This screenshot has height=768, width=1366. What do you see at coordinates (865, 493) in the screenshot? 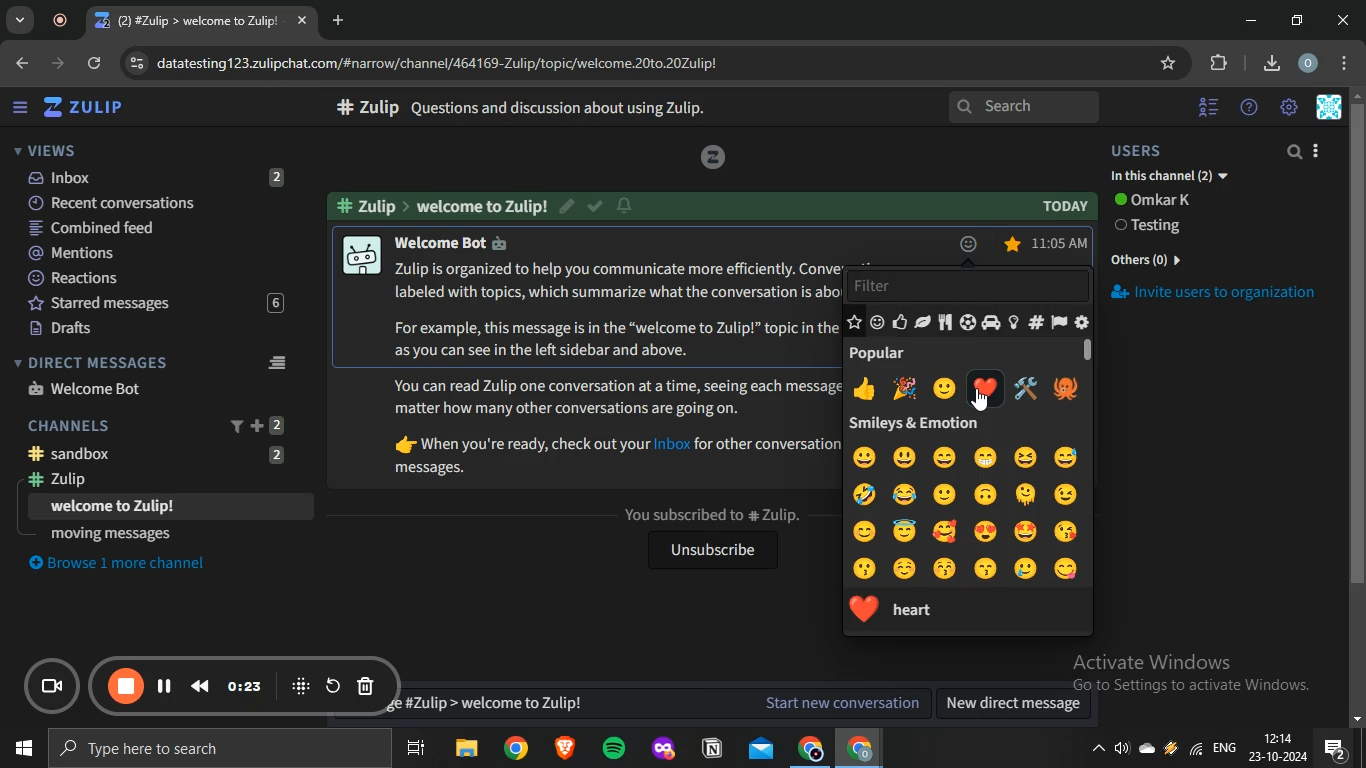
I see `rolling on the floor laughing` at bounding box center [865, 493].